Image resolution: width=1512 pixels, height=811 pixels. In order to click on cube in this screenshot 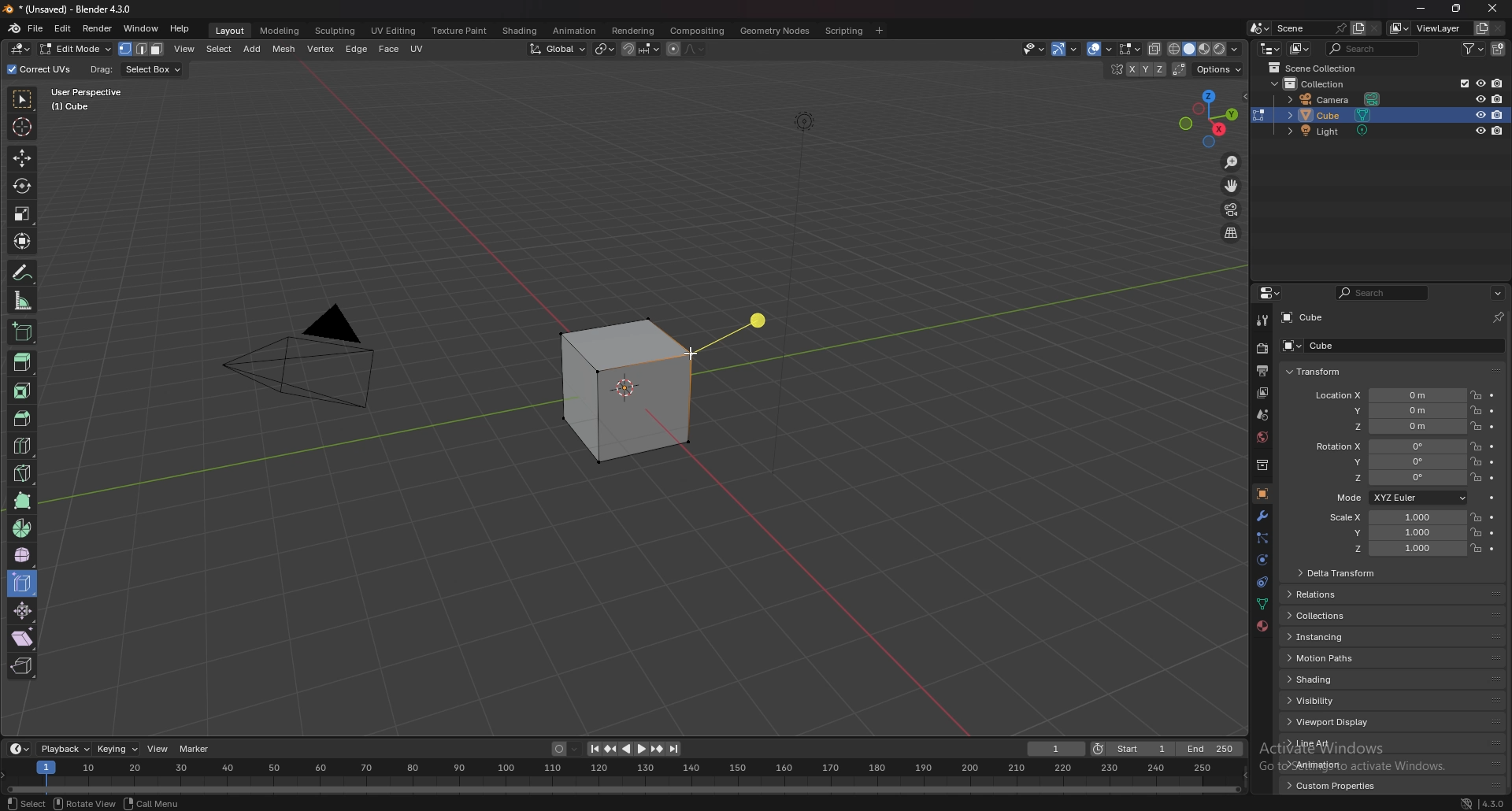, I will do `click(617, 388)`.